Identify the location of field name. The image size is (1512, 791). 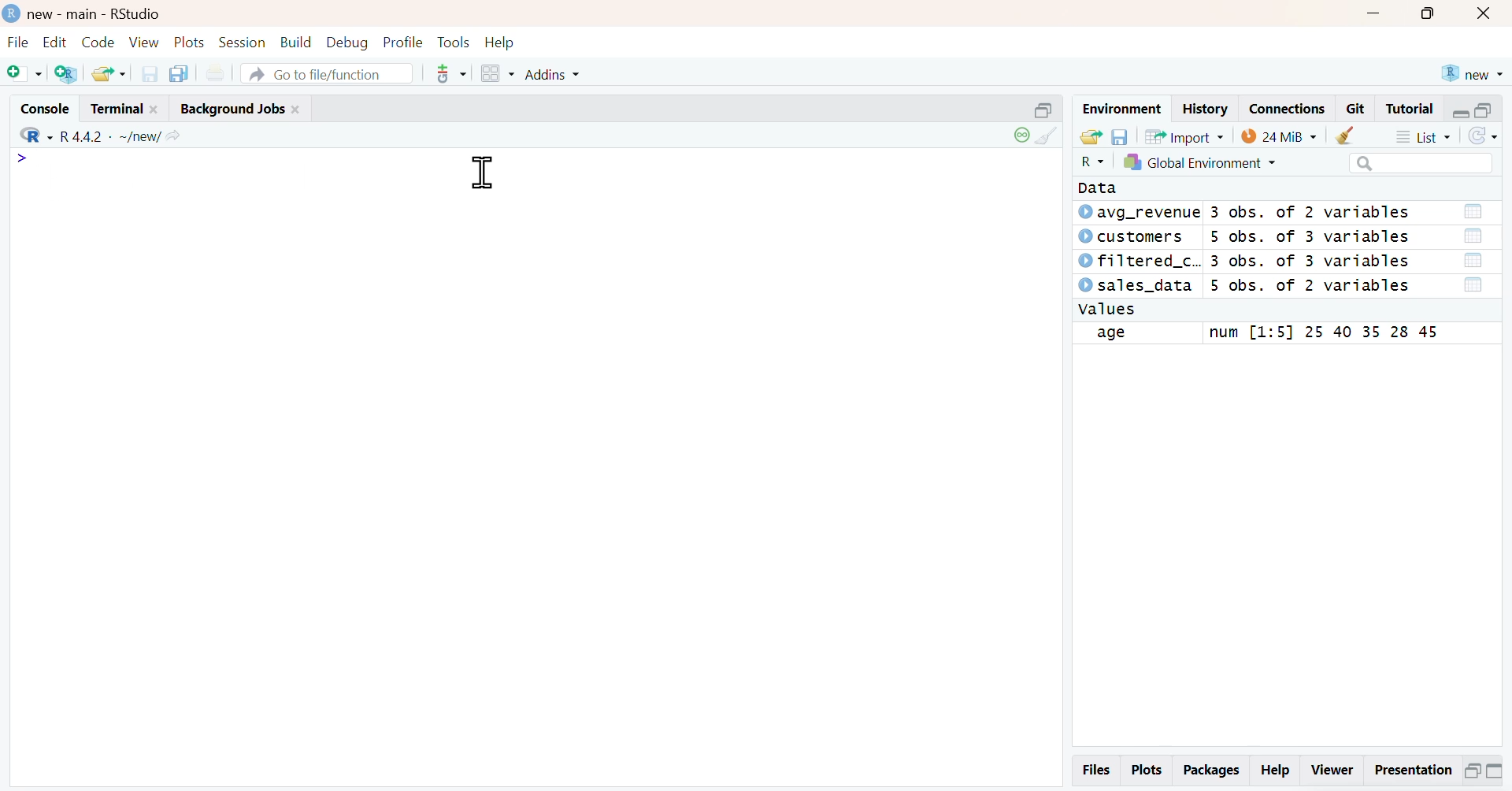
(1136, 334).